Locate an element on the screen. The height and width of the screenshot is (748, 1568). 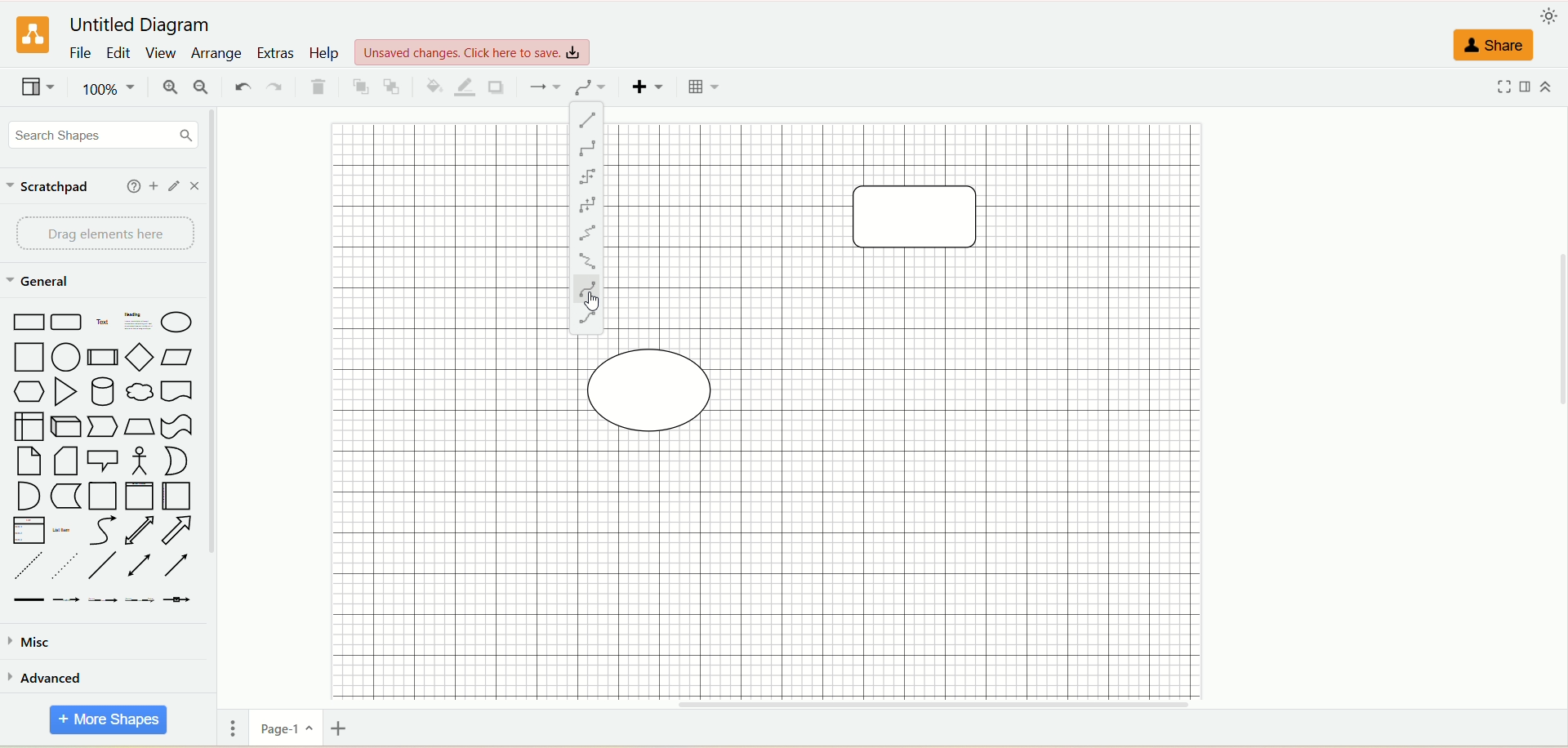
search dhapes is located at coordinates (99, 136).